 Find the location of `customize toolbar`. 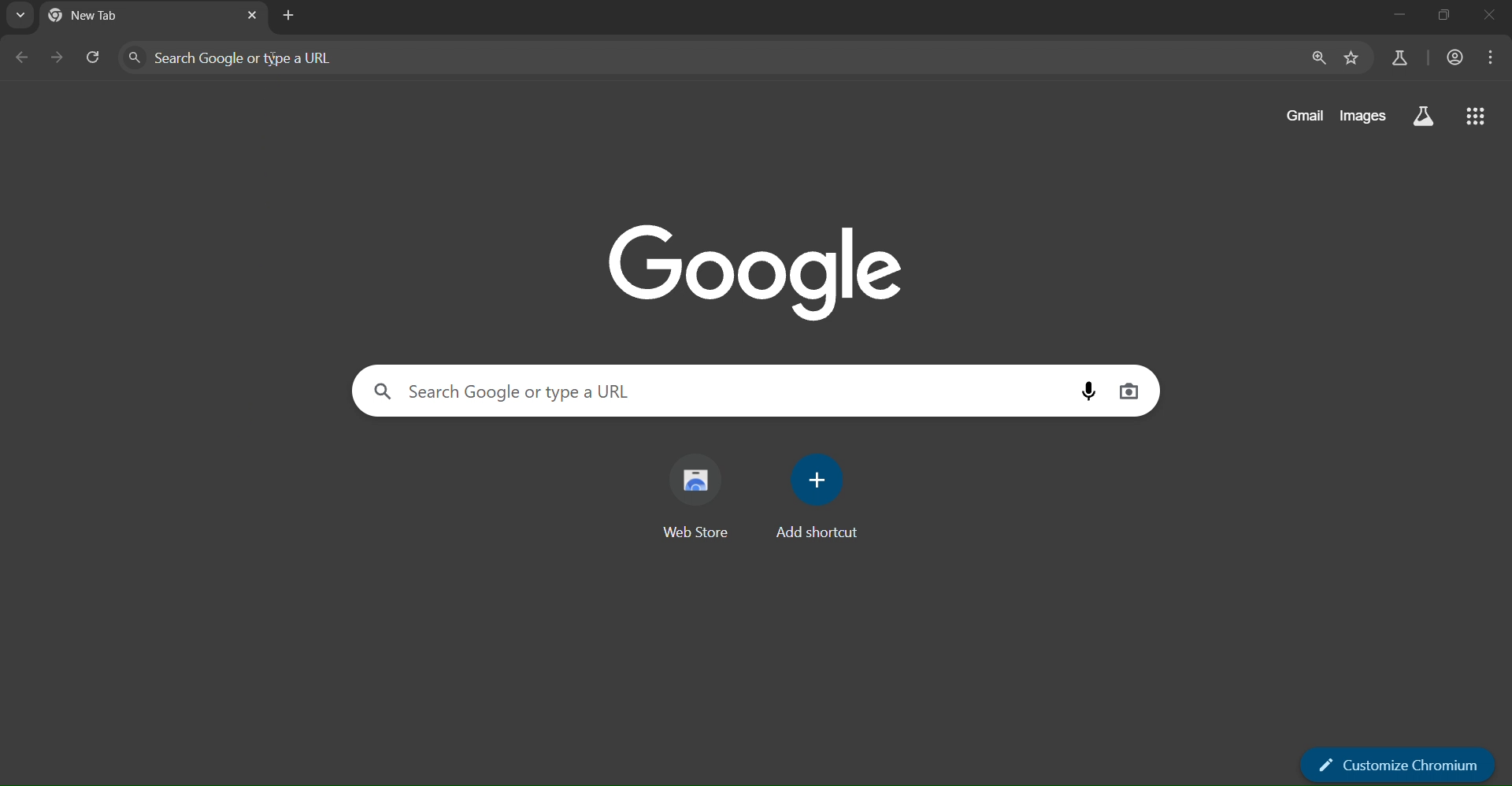

customize toolbar is located at coordinates (1399, 766).